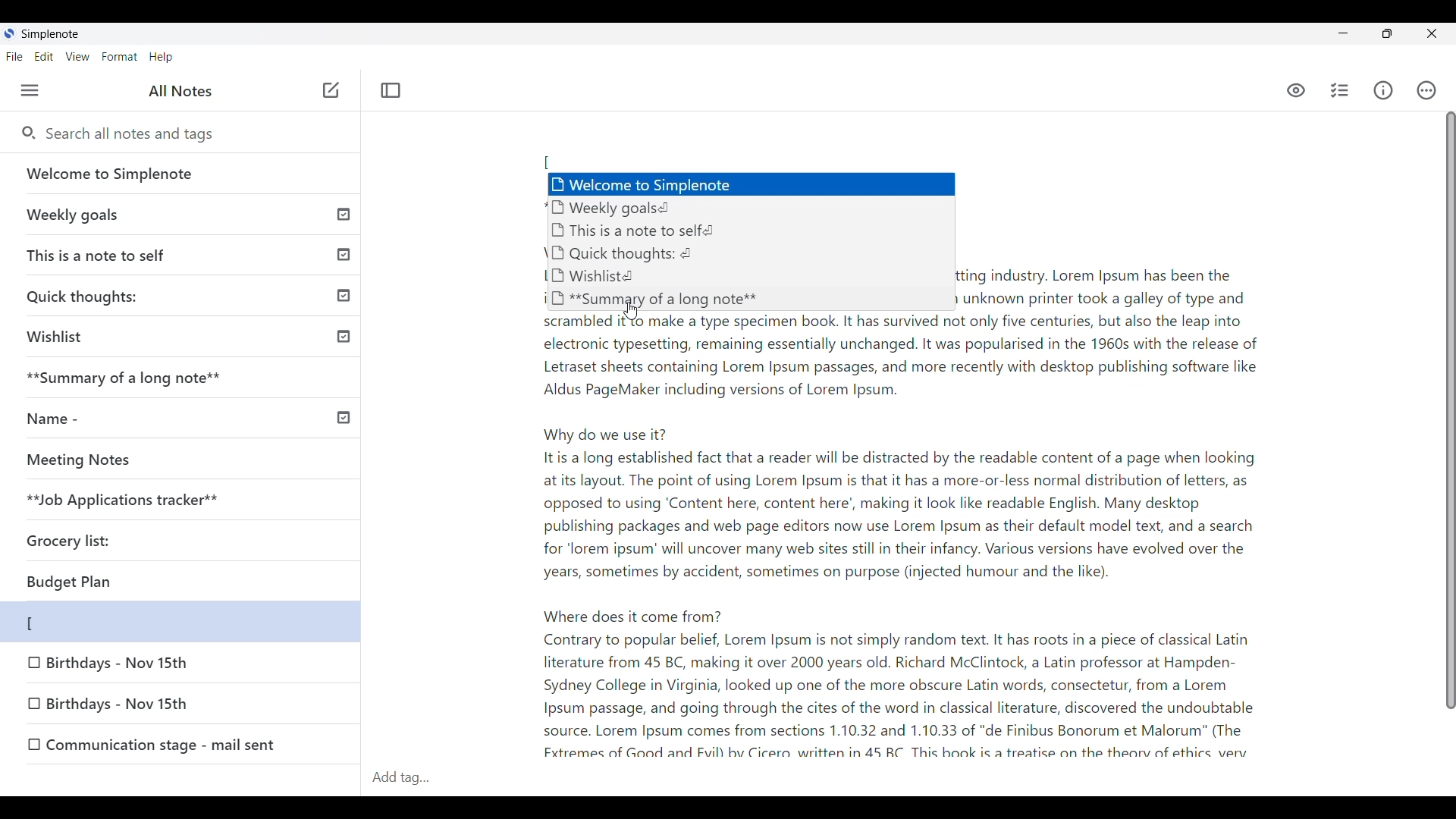 The height and width of the screenshot is (819, 1456). I want to click on File, so click(14, 56).